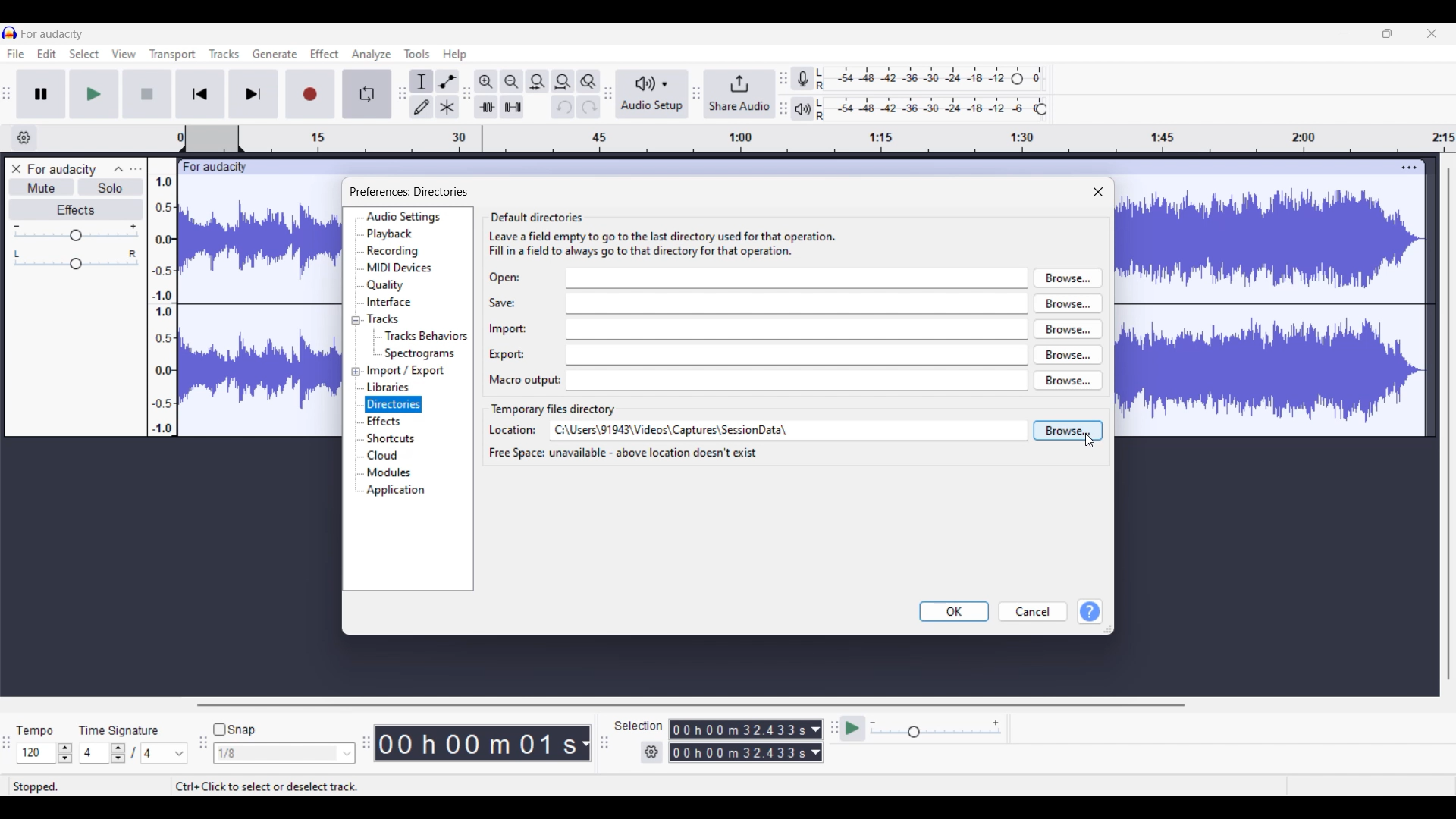  Describe the element at coordinates (391, 234) in the screenshot. I see `Playback` at that location.